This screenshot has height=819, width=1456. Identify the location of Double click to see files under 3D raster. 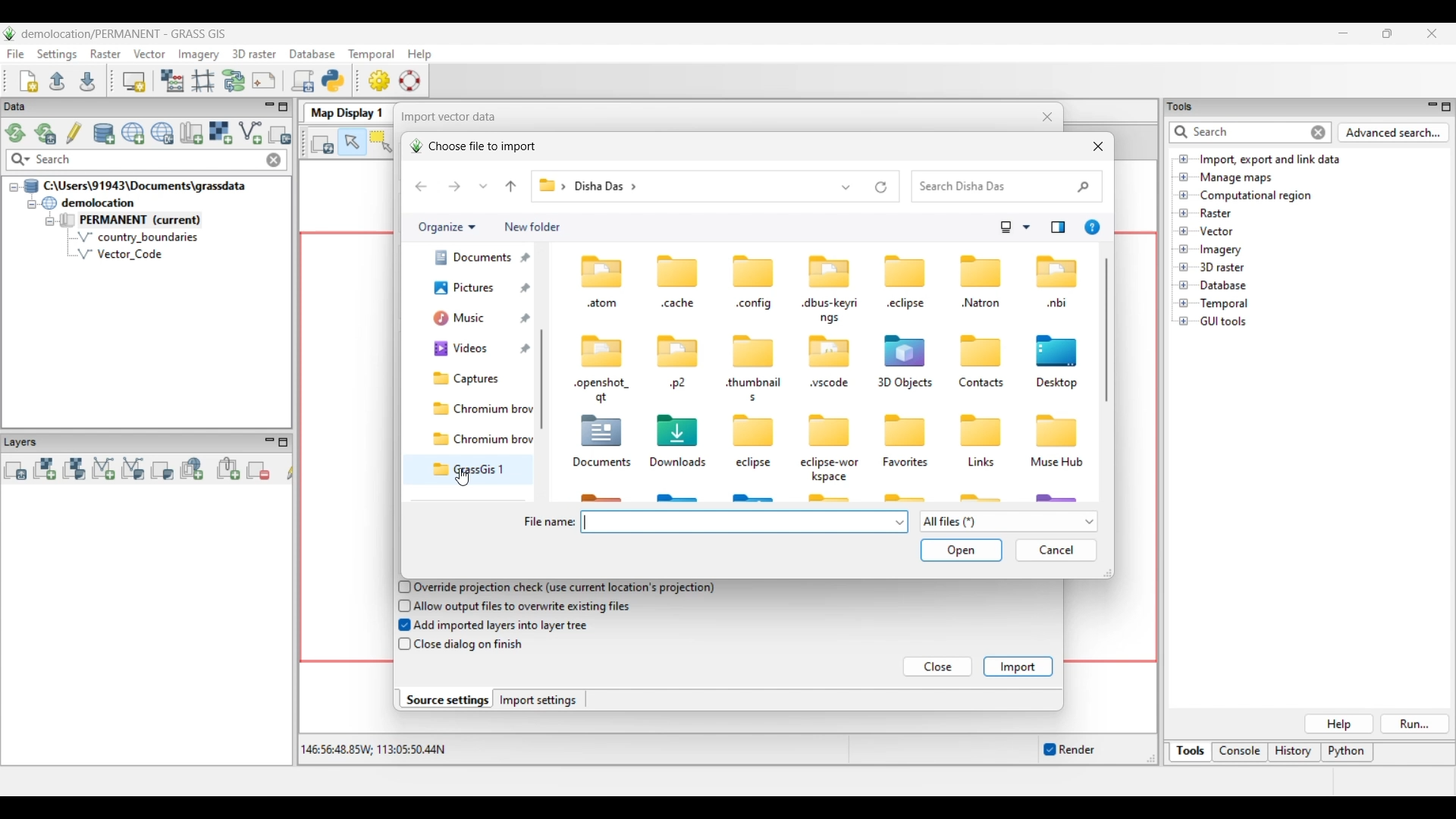
(1222, 267).